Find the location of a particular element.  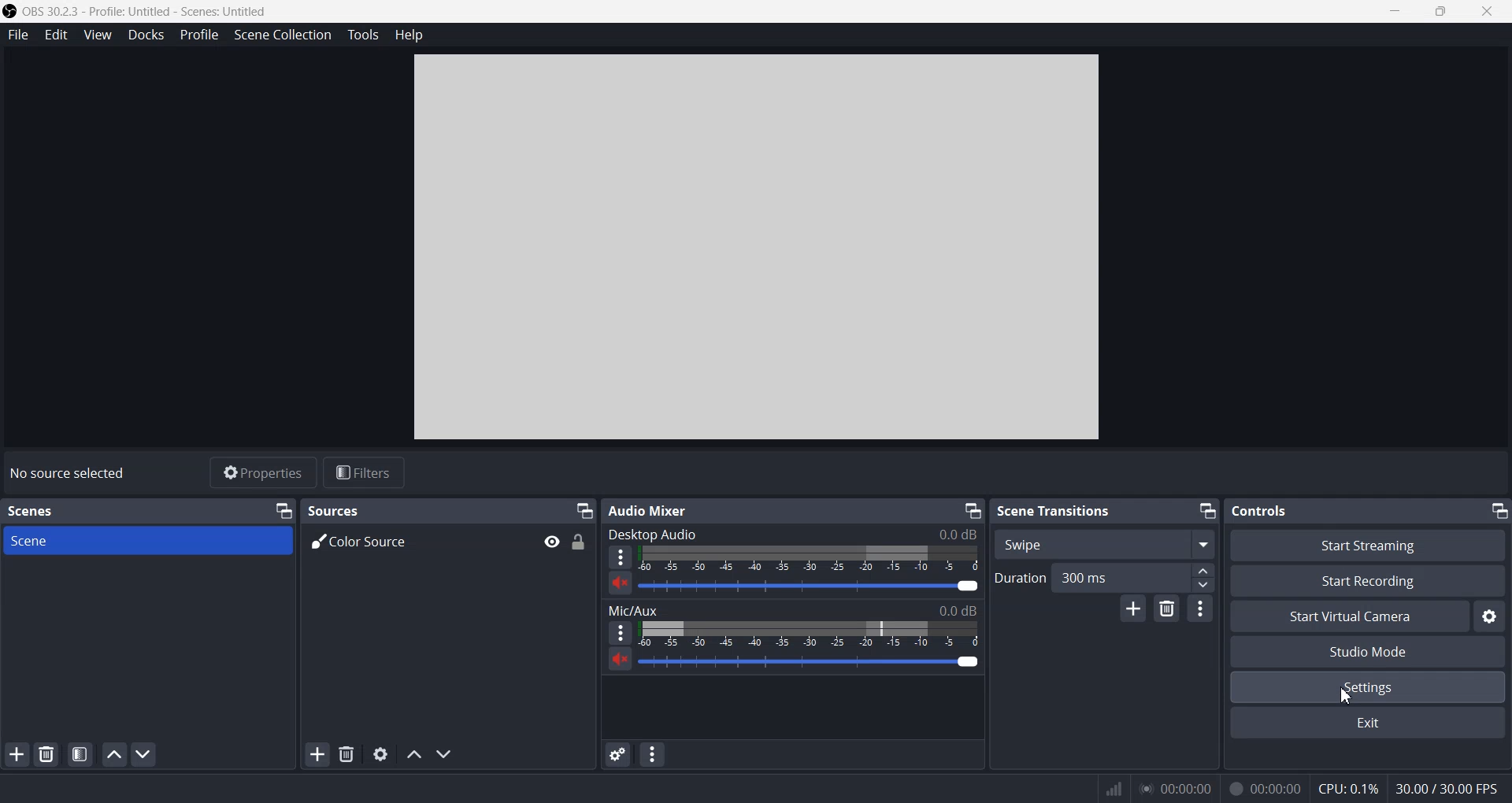

Minimize is located at coordinates (971, 509).